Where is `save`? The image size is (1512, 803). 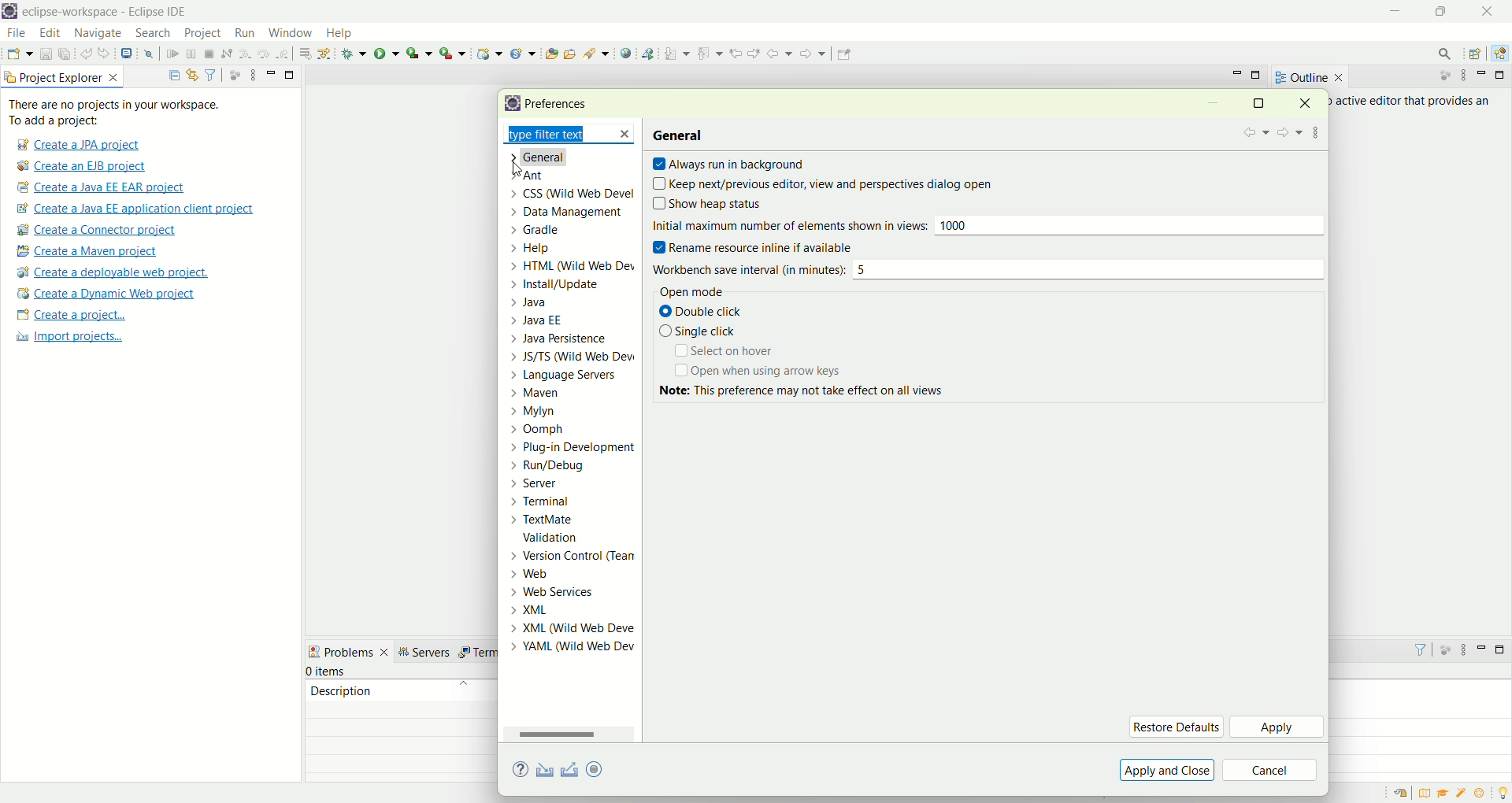 save is located at coordinates (47, 54).